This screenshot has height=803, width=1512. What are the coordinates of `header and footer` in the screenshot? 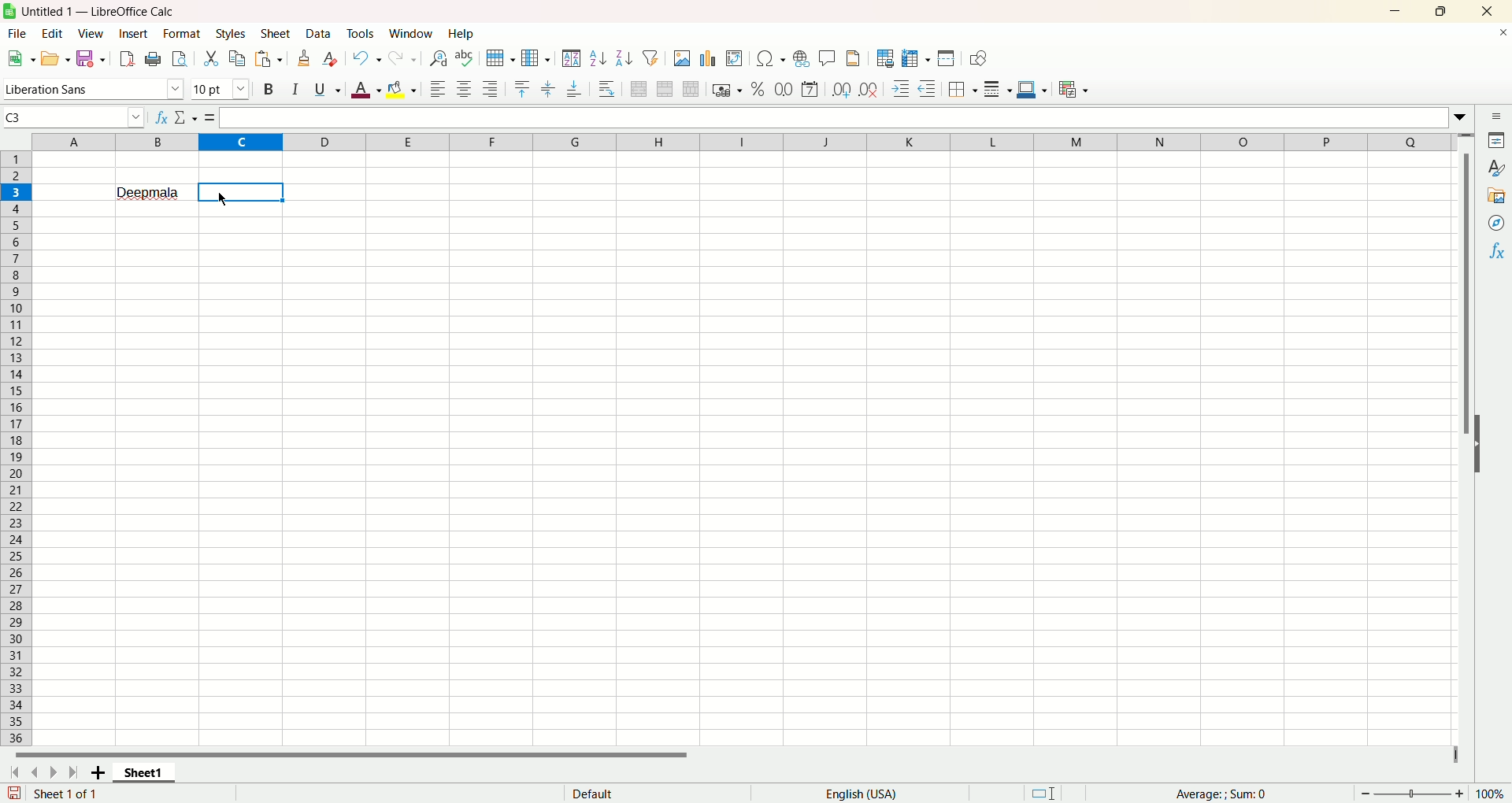 It's located at (854, 57).